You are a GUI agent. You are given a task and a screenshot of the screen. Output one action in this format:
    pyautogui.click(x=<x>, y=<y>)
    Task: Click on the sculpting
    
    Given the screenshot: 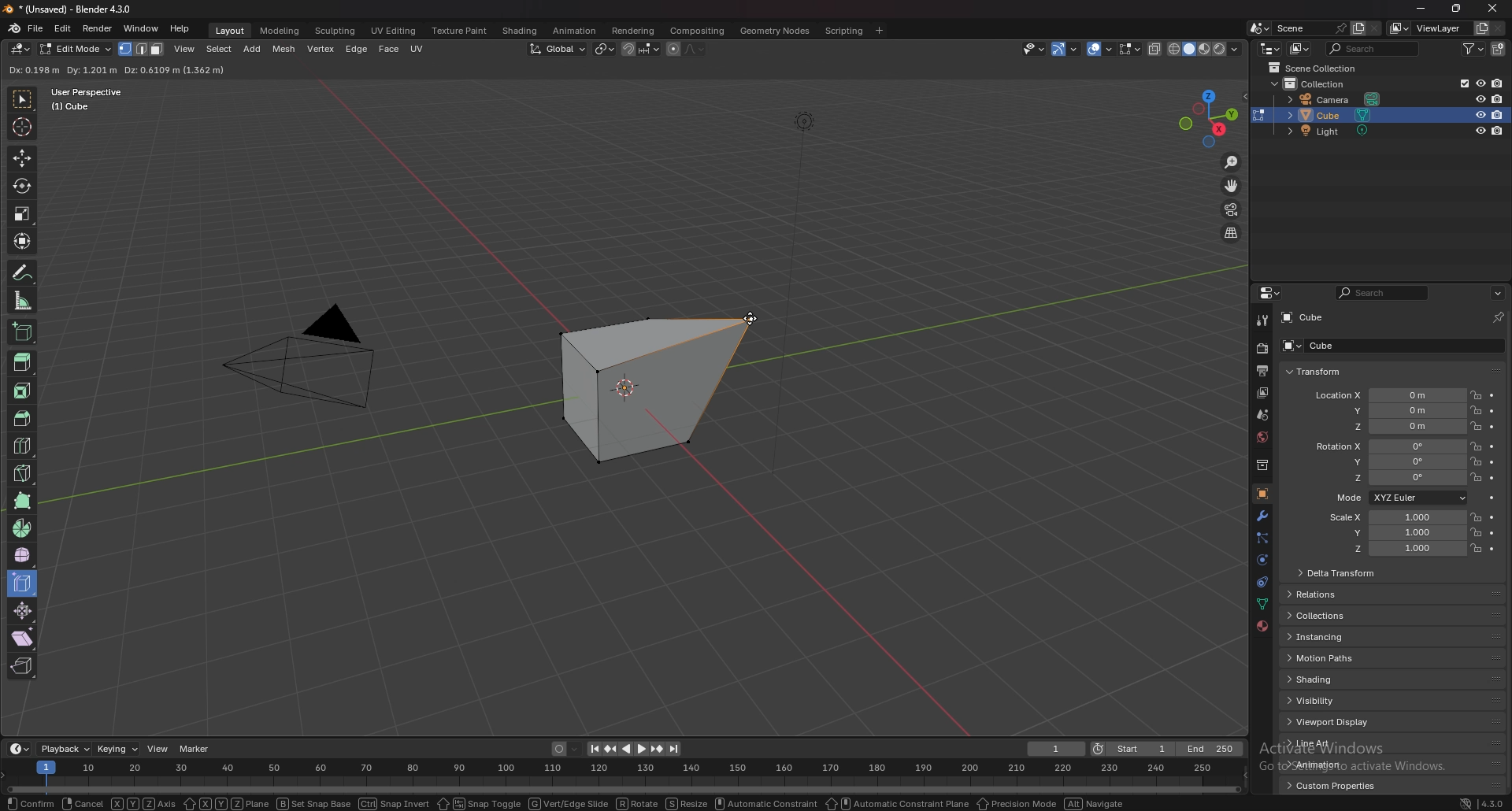 What is the action you would take?
    pyautogui.click(x=335, y=31)
    